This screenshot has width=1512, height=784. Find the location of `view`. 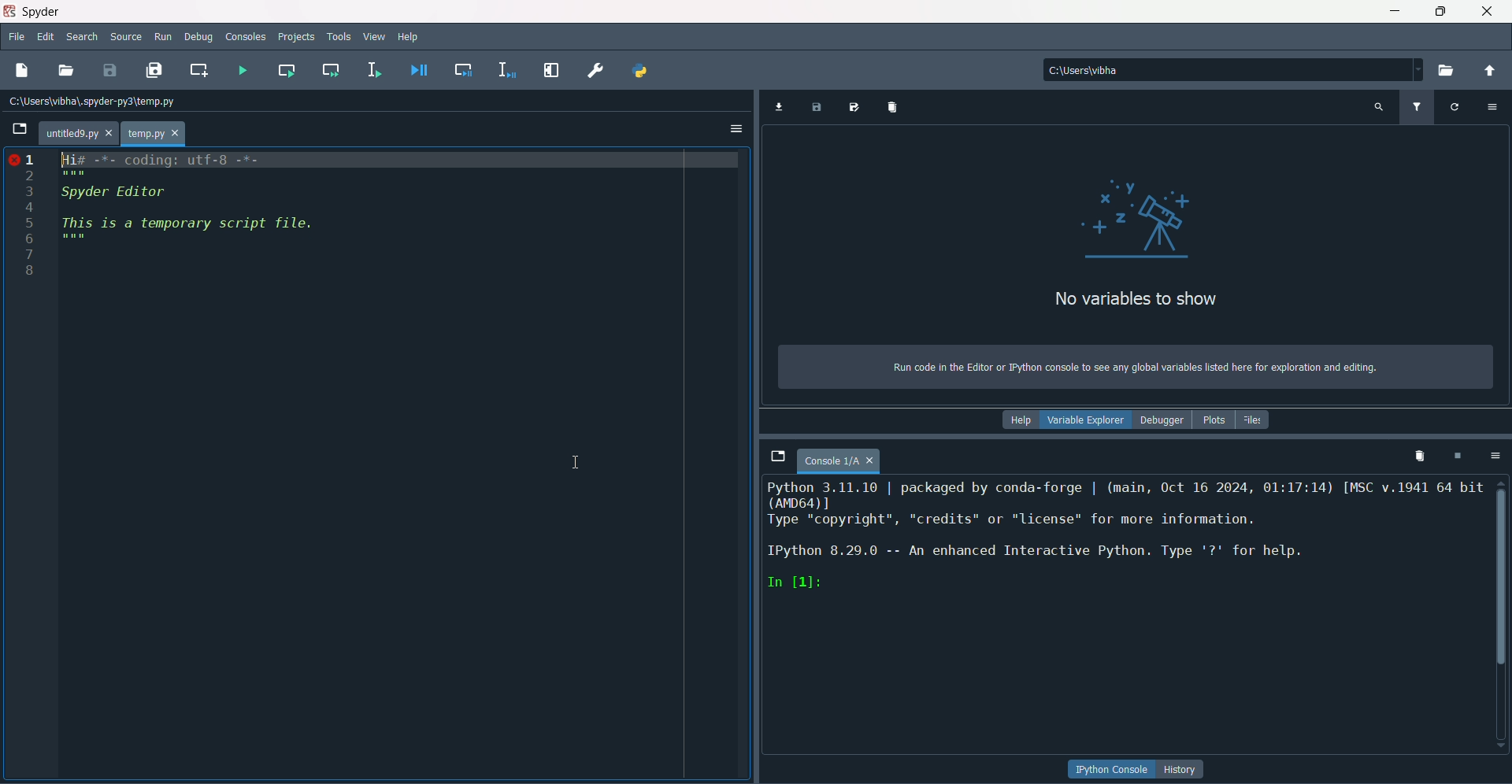

view is located at coordinates (376, 38).